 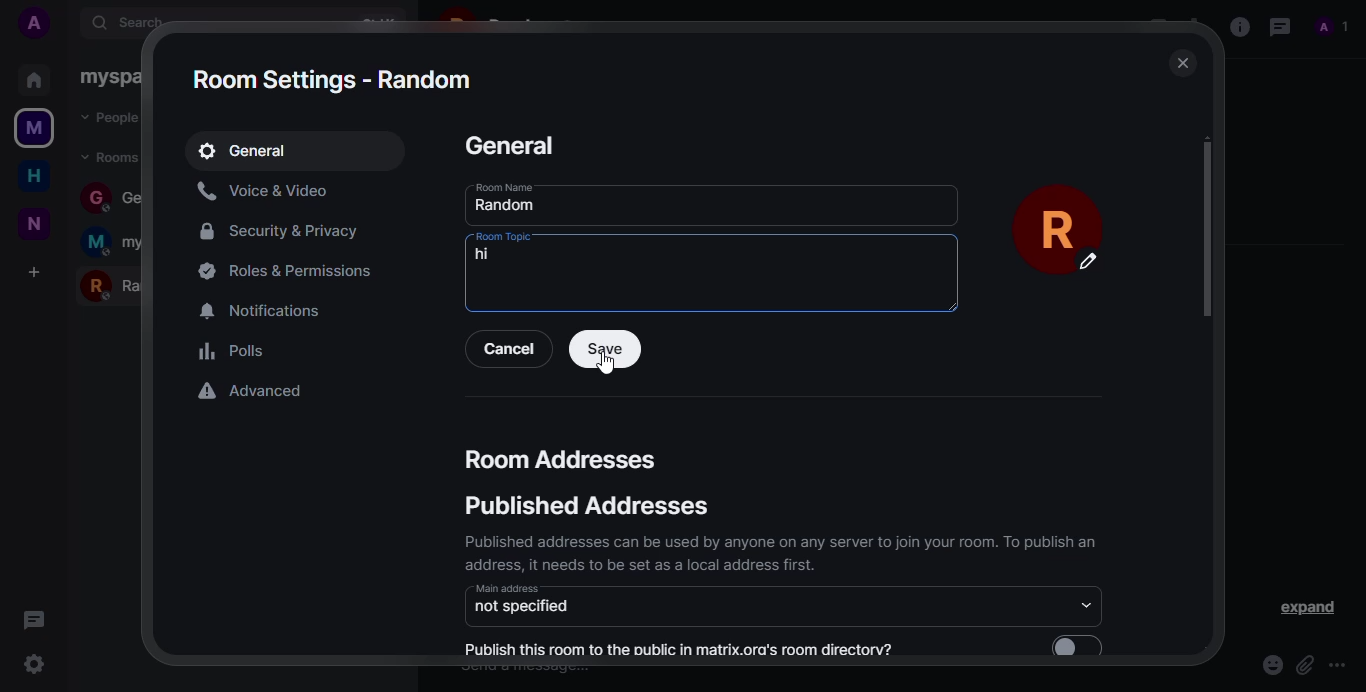 What do you see at coordinates (138, 22) in the screenshot?
I see `search` at bounding box center [138, 22].